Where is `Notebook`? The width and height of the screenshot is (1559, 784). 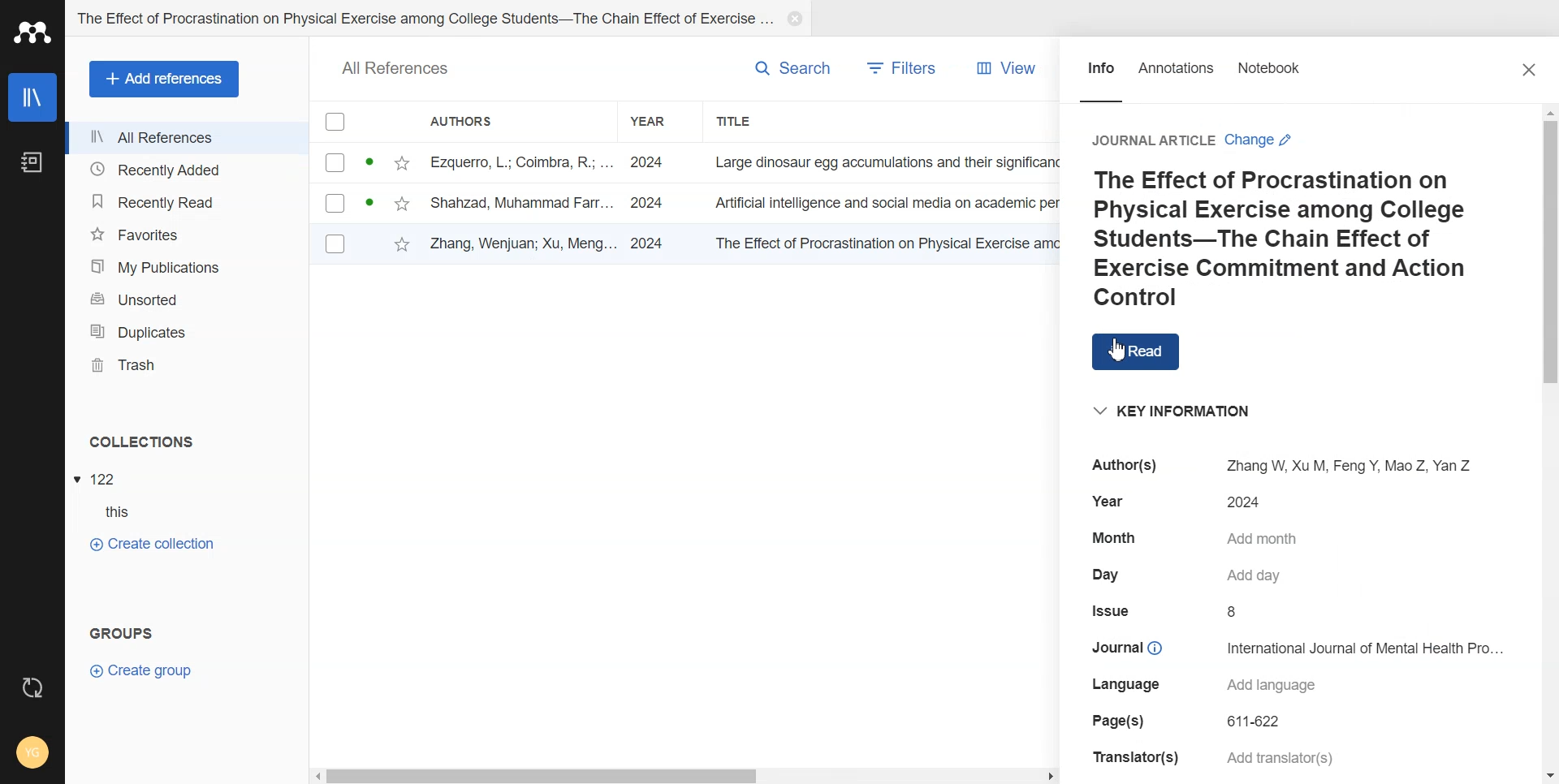 Notebook is located at coordinates (32, 162).